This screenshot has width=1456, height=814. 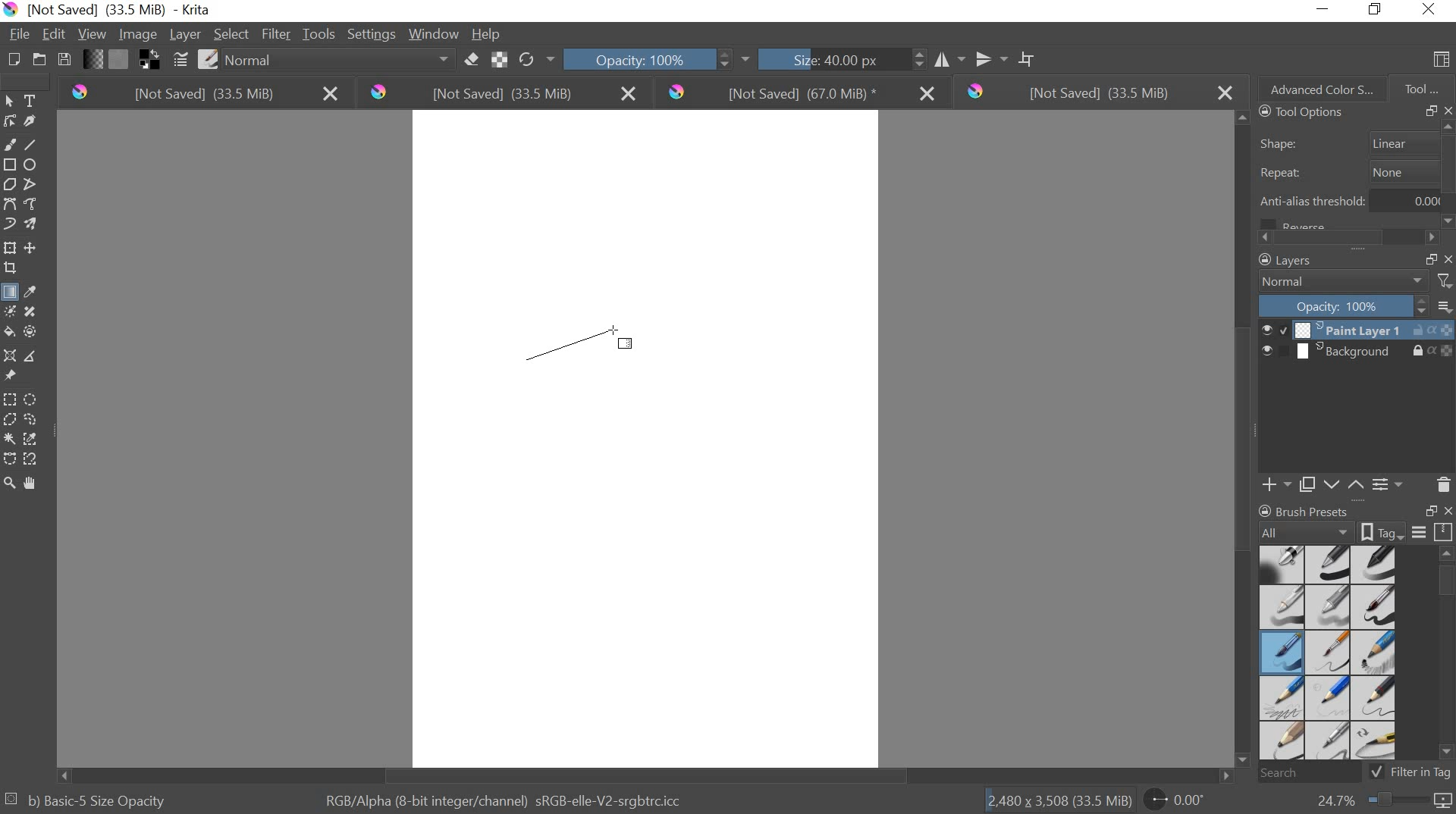 I want to click on assistant tool, so click(x=9, y=355).